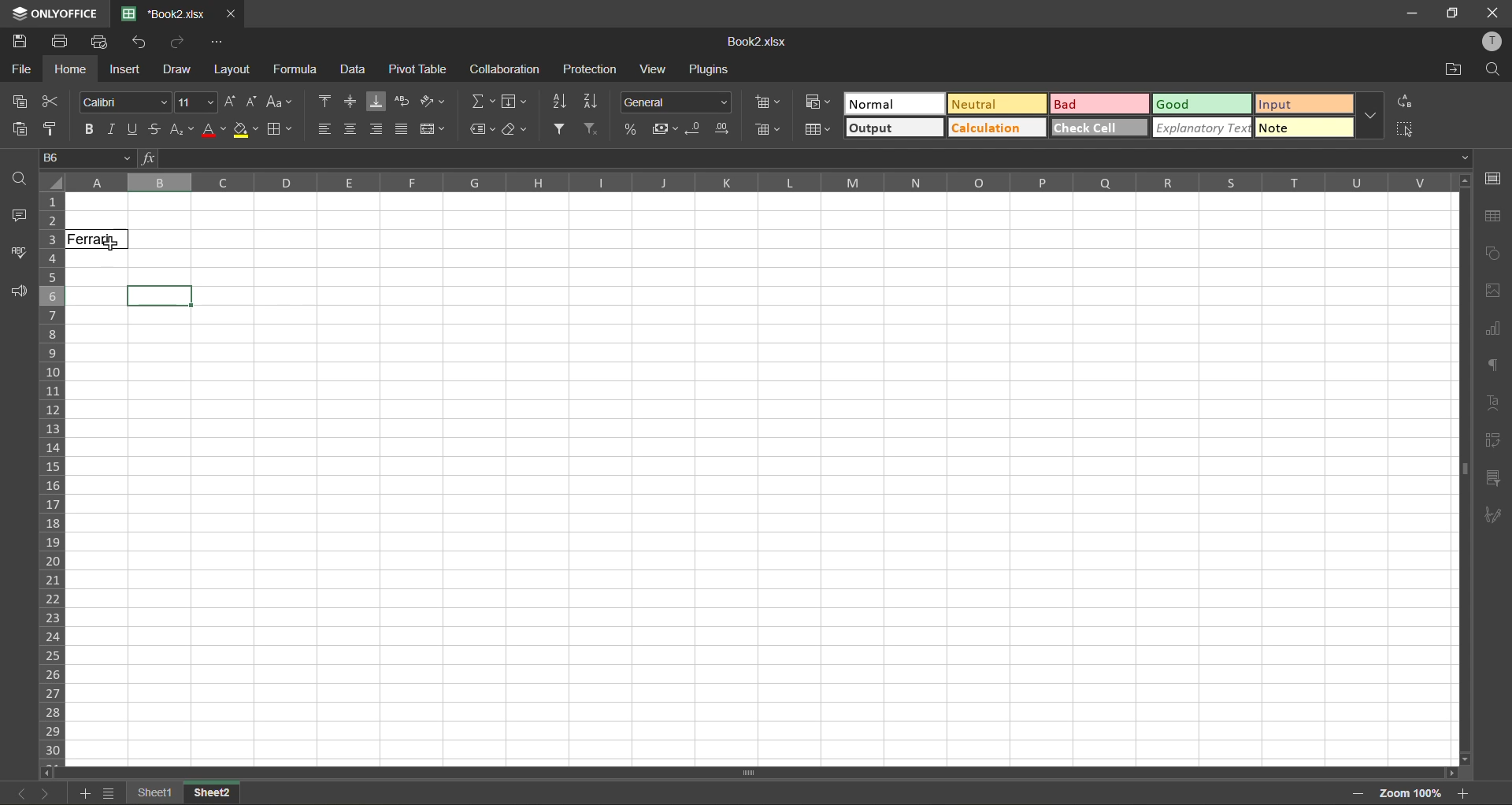 This screenshot has width=1512, height=805. Describe the element at coordinates (559, 102) in the screenshot. I see `sort ascending` at that location.